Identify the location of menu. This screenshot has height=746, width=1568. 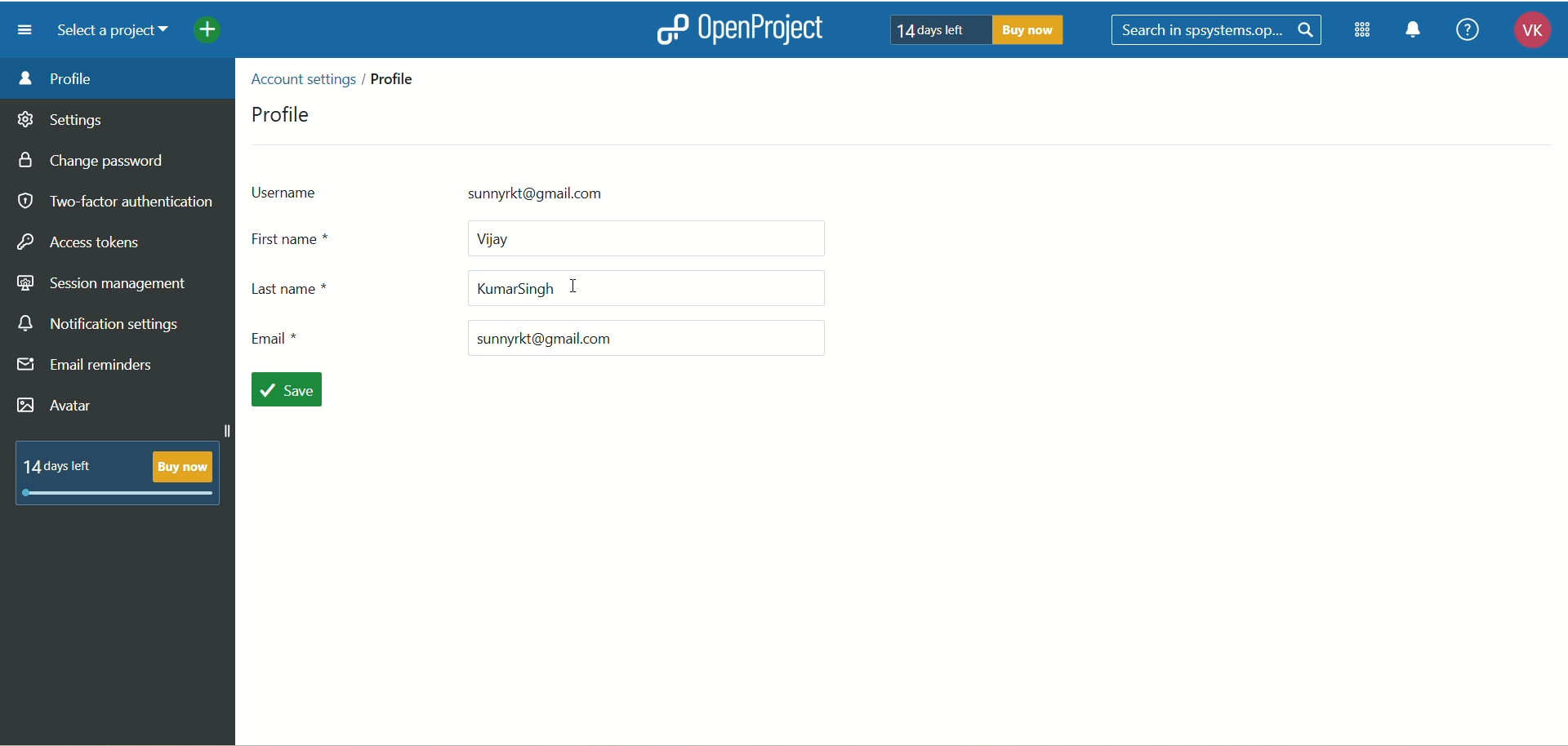
(25, 30).